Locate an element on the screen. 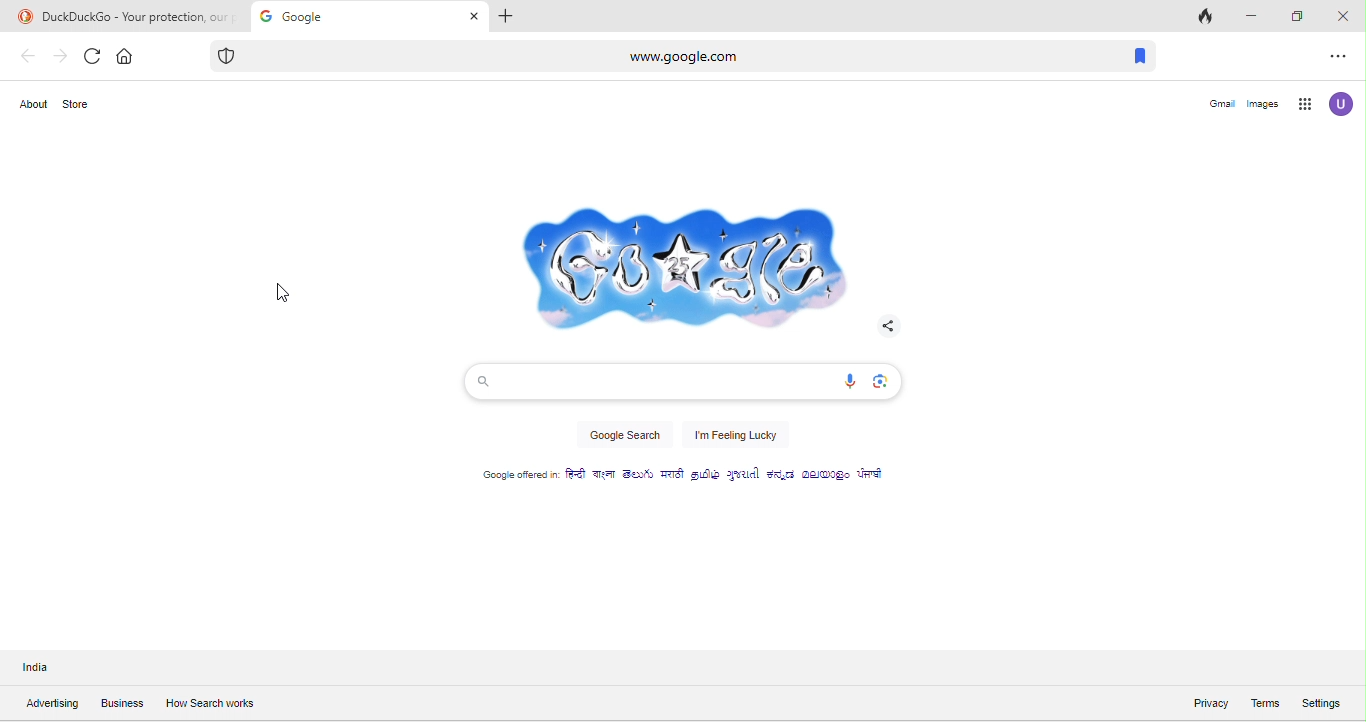  forward is located at coordinates (59, 56).